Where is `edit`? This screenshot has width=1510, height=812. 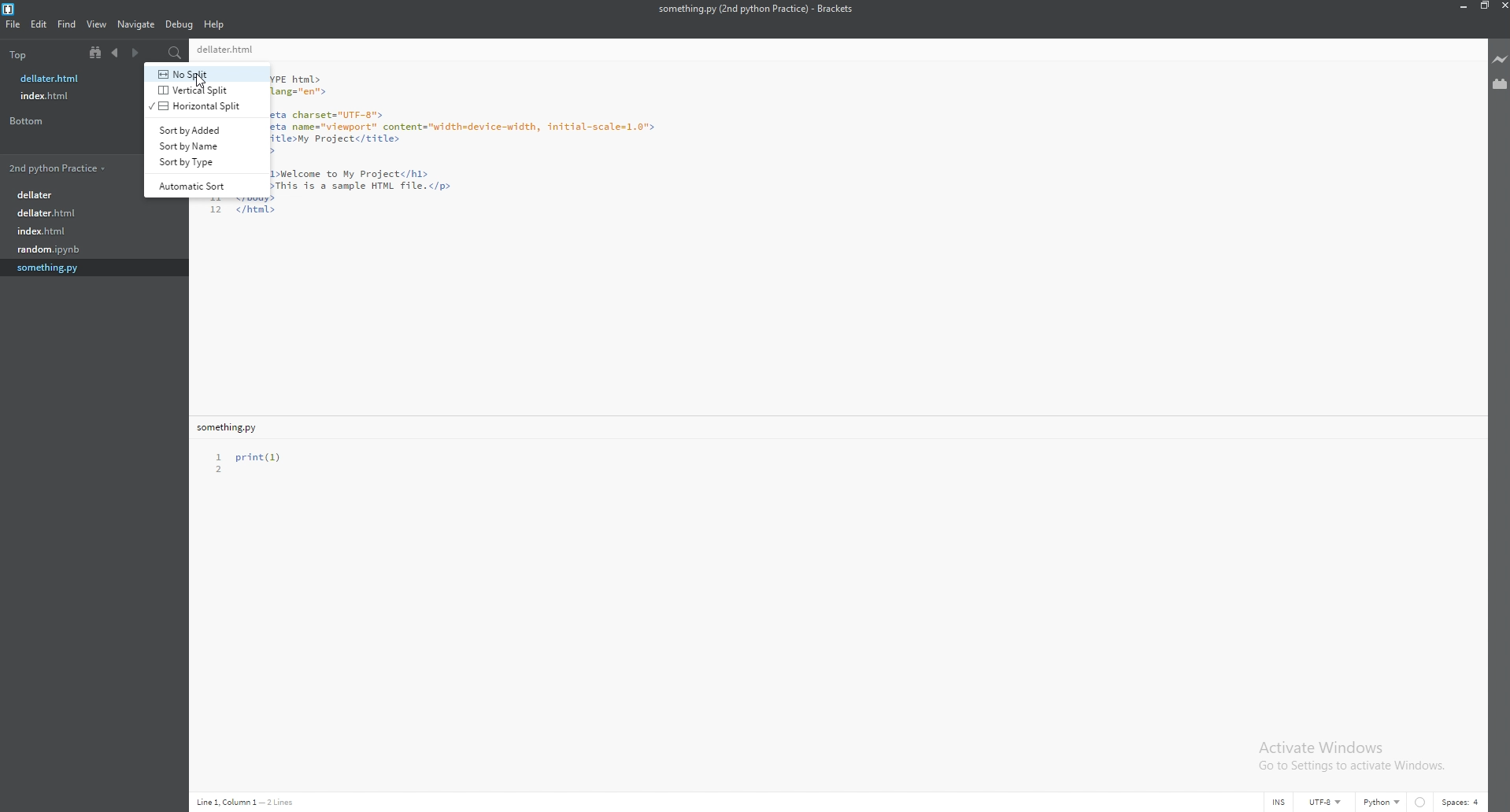
edit is located at coordinates (40, 24).